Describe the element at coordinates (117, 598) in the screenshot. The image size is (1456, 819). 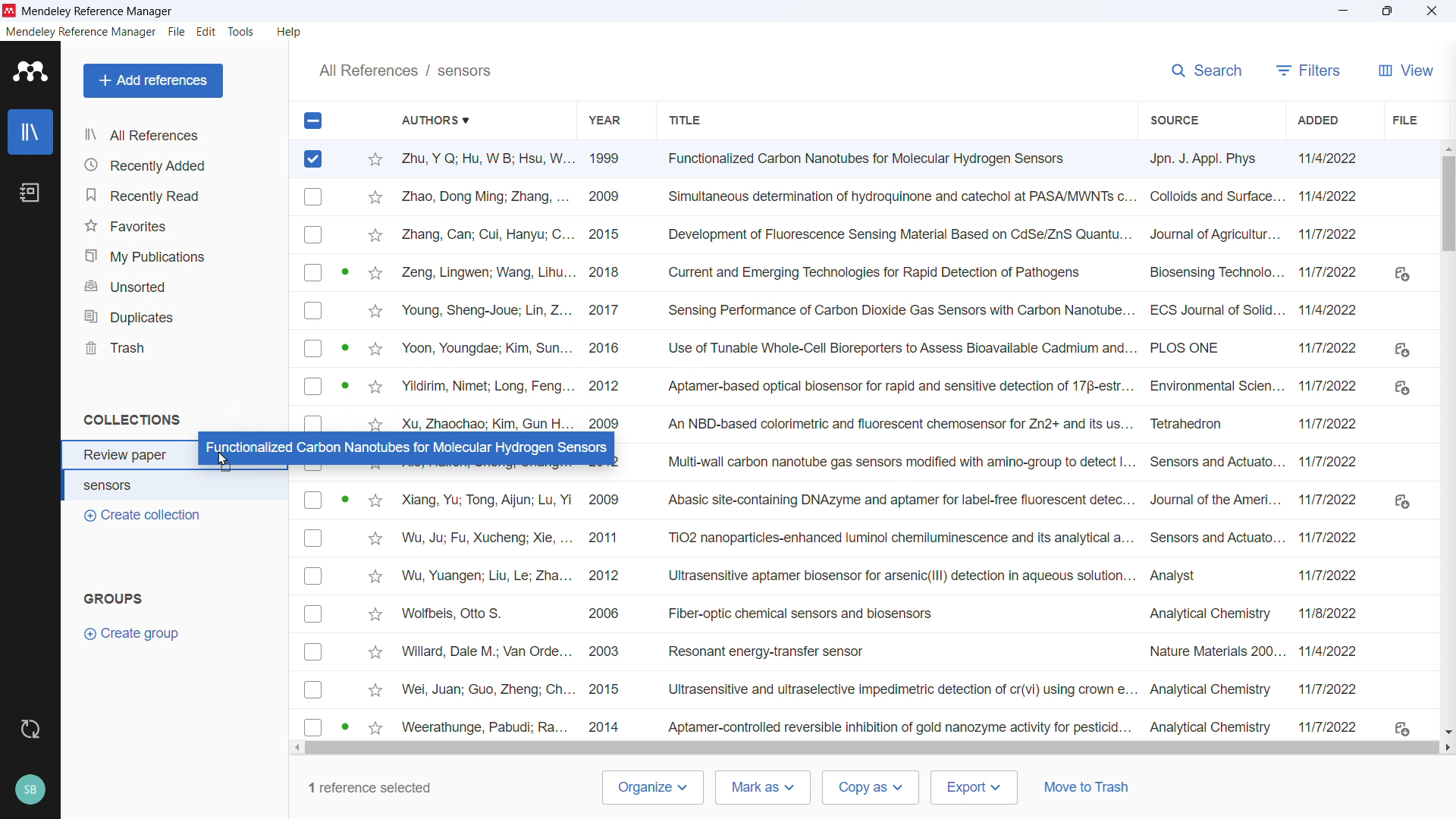
I see `Groups ` at that location.